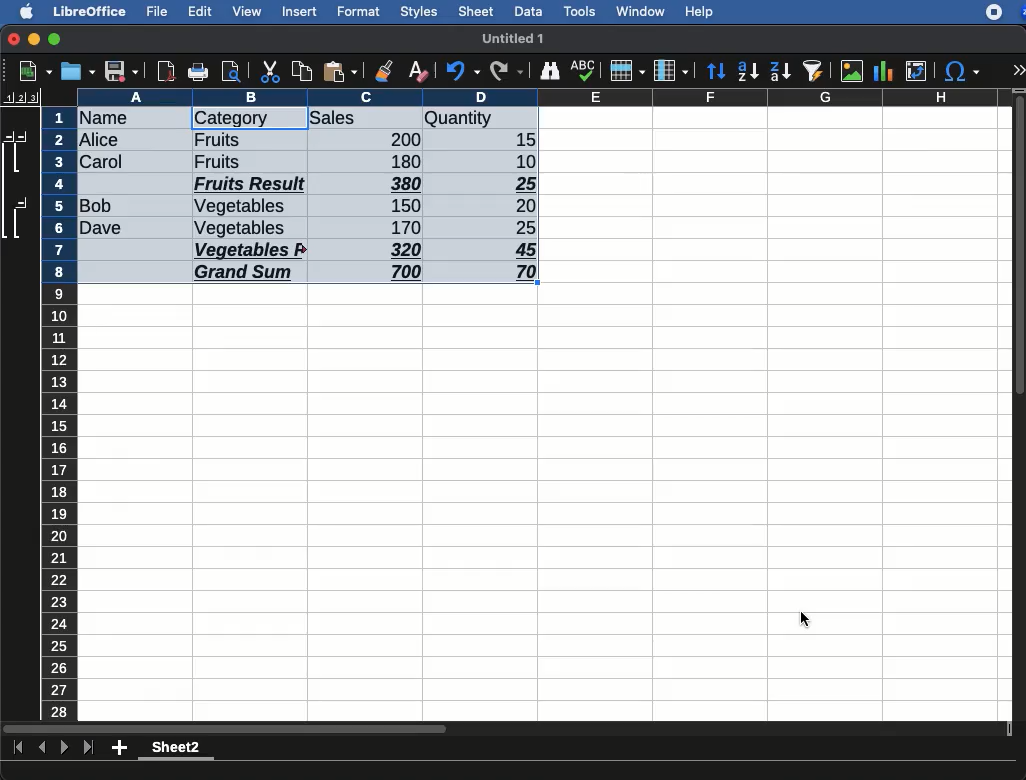 The image size is (1026, 780). What do you see at coordinates (748, 70) in the screenshot?
I see `ascending` at bounding box center [748, 70].